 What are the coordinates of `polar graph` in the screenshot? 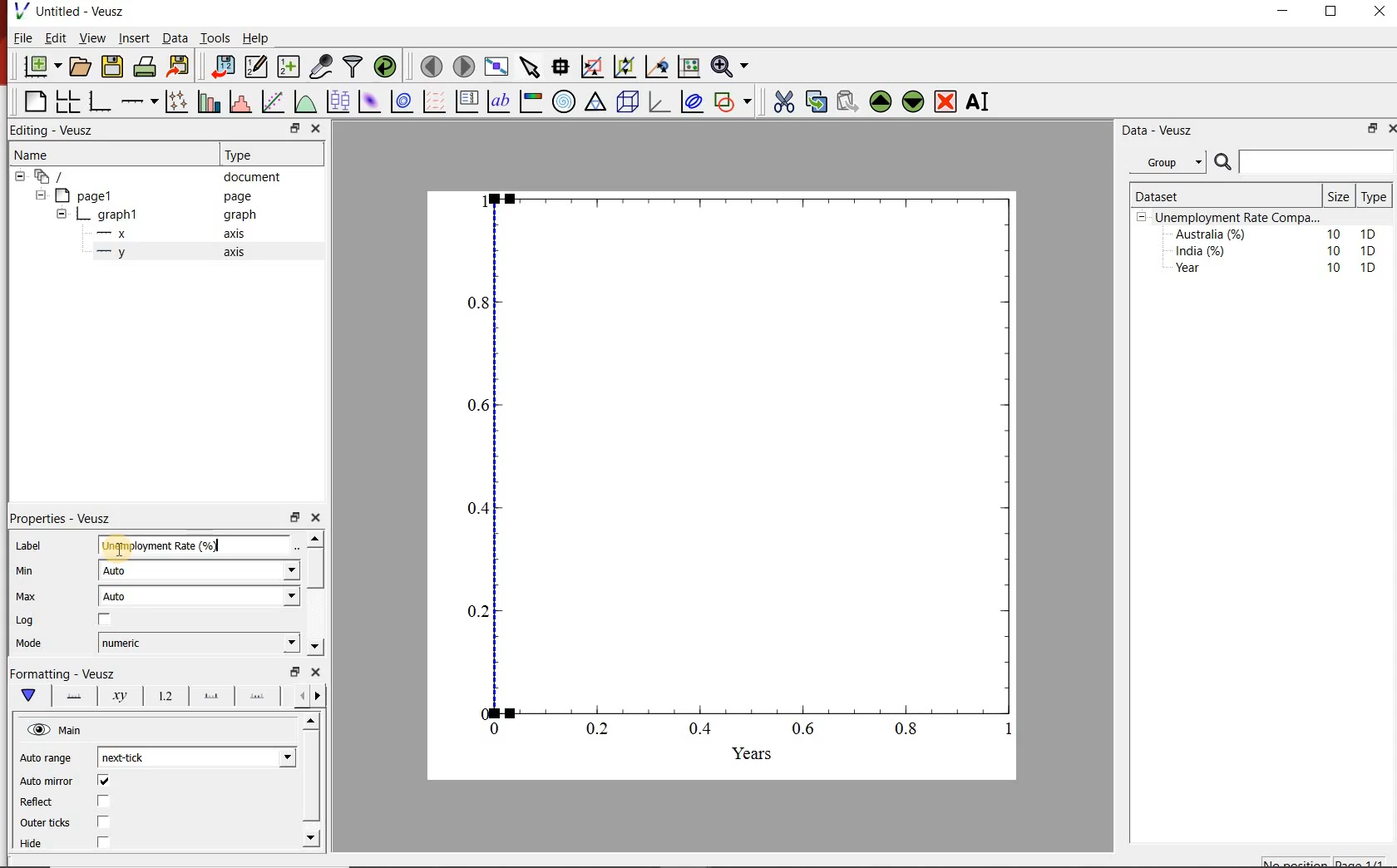 It's located at (565, 102).